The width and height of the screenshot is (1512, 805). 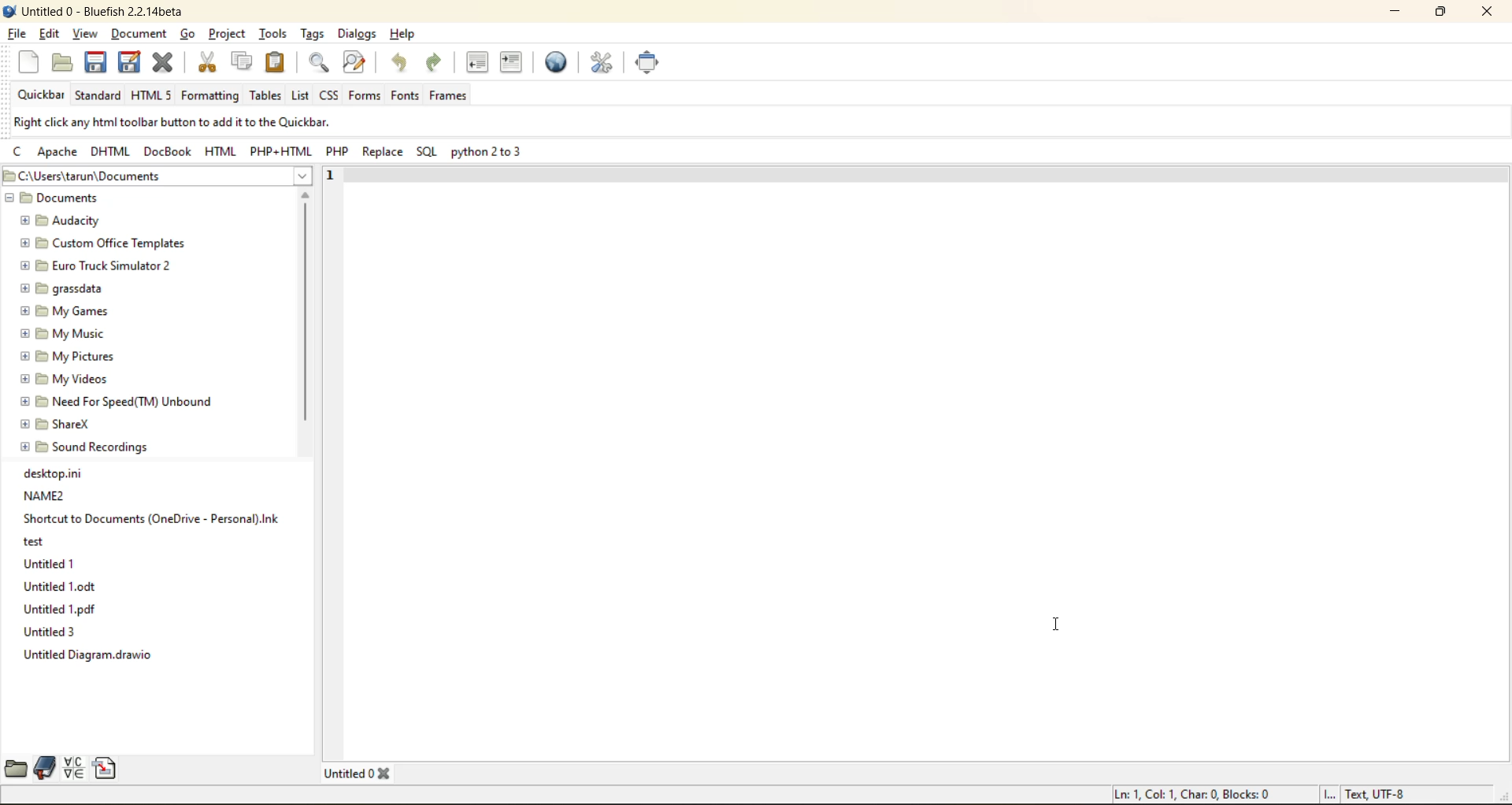 I want to click on close, so click(x=1486, y=12).